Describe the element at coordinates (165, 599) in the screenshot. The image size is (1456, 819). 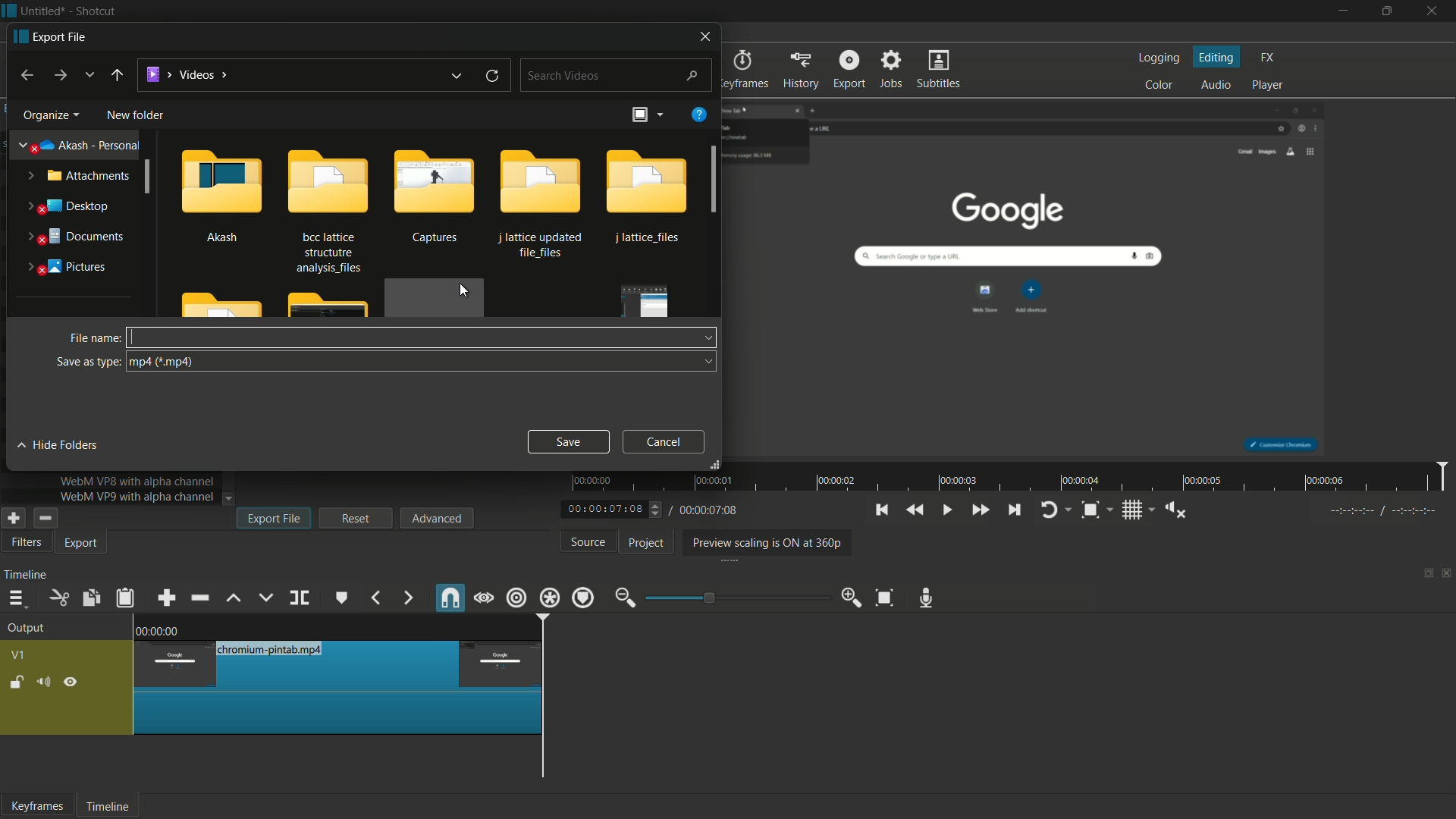
I see `append` at that location.